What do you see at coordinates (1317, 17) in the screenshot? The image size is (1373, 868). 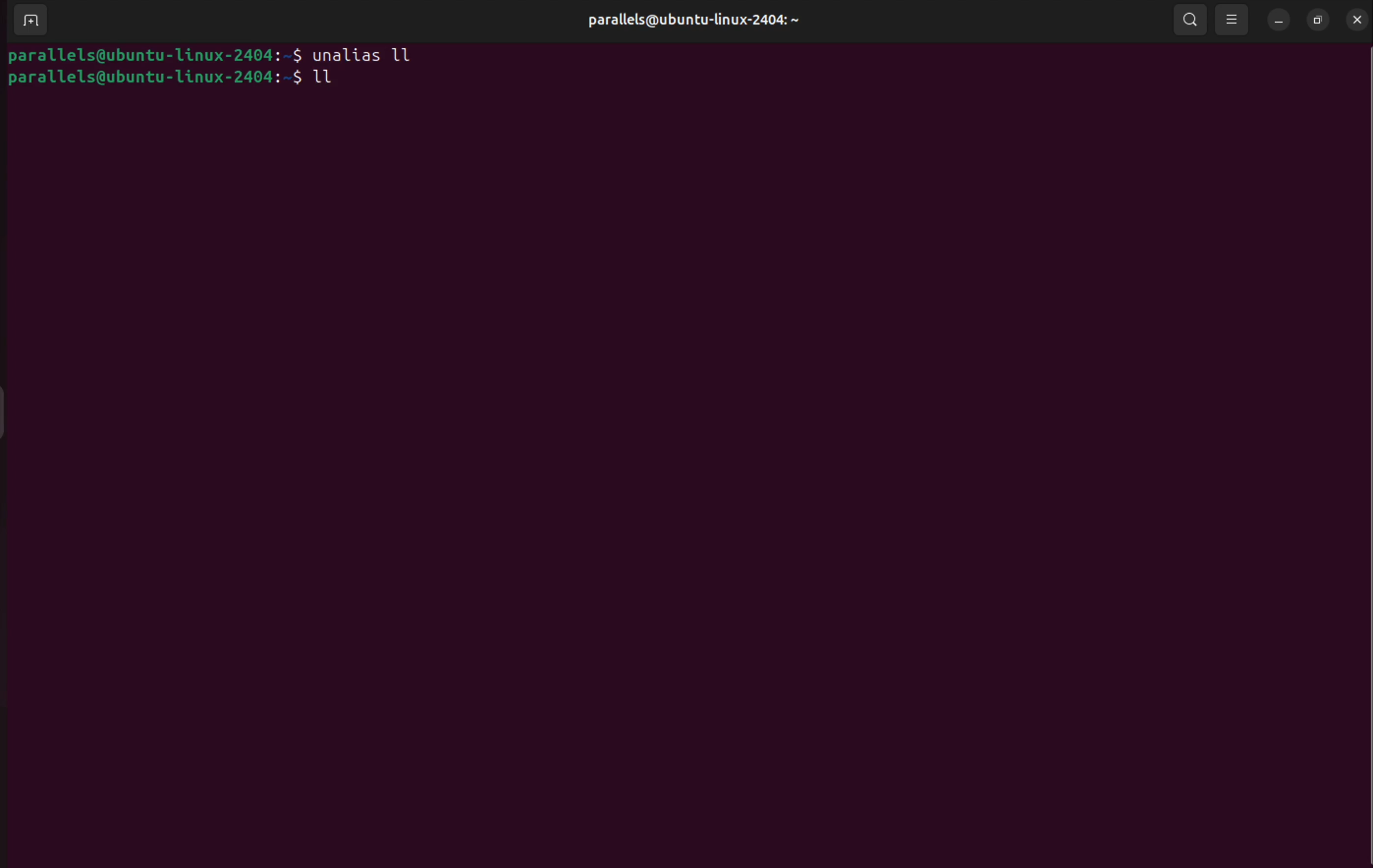 I see `resize` at bounding box center [1317, 17].